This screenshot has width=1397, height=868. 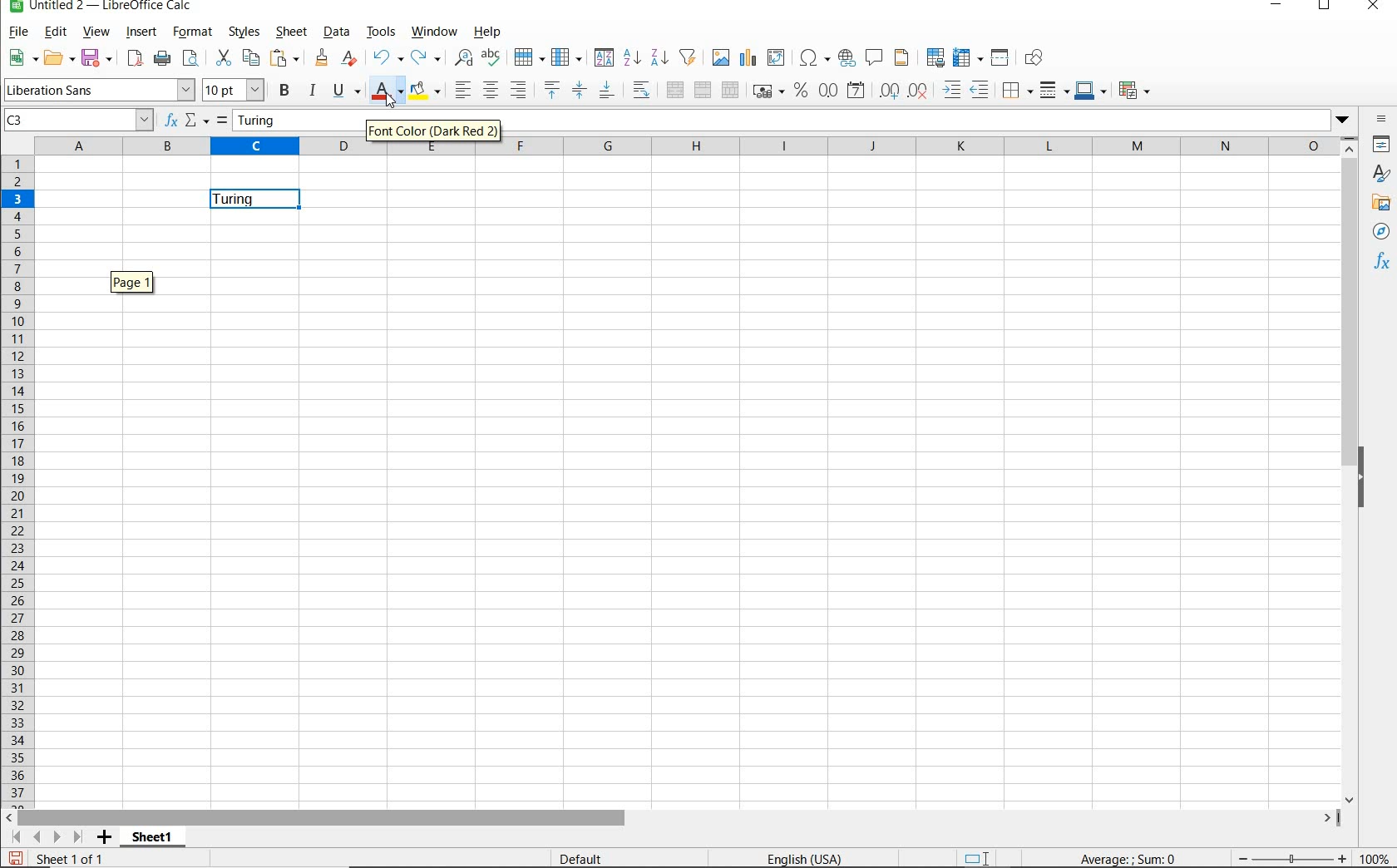 I want to click on ROWS, so click(x=18, y=479).